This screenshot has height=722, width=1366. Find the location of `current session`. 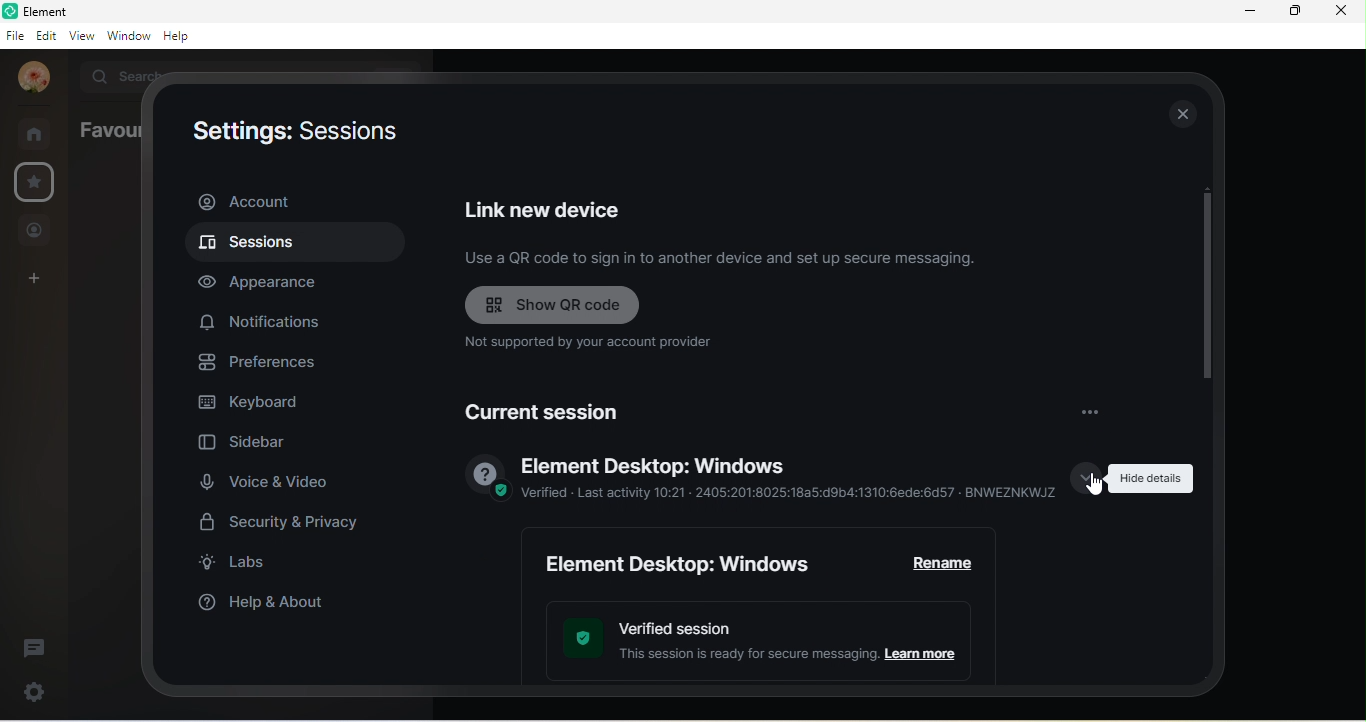

current session is located at coordinates (550, 415).